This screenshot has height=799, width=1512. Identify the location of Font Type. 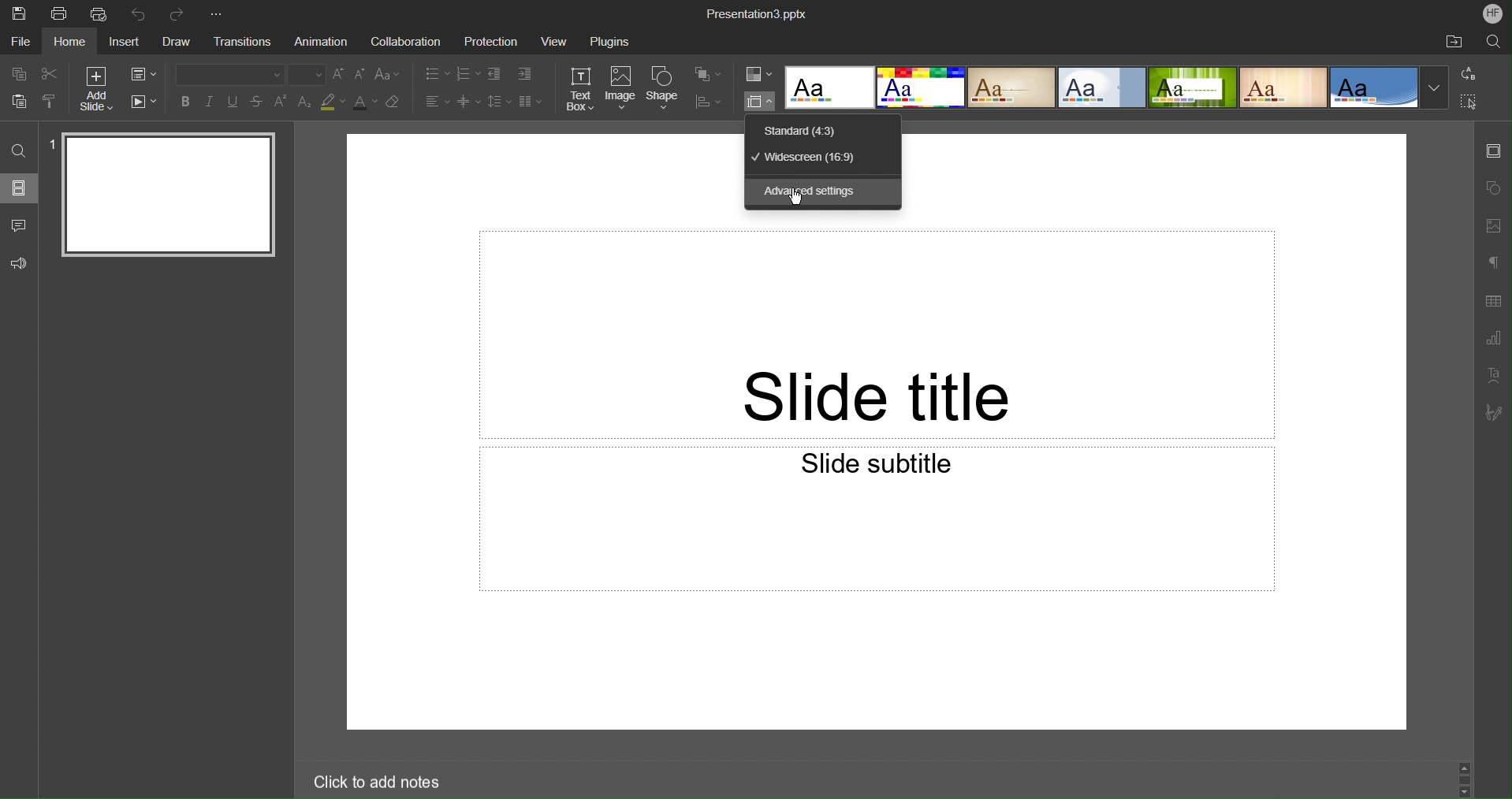
(225, 74).